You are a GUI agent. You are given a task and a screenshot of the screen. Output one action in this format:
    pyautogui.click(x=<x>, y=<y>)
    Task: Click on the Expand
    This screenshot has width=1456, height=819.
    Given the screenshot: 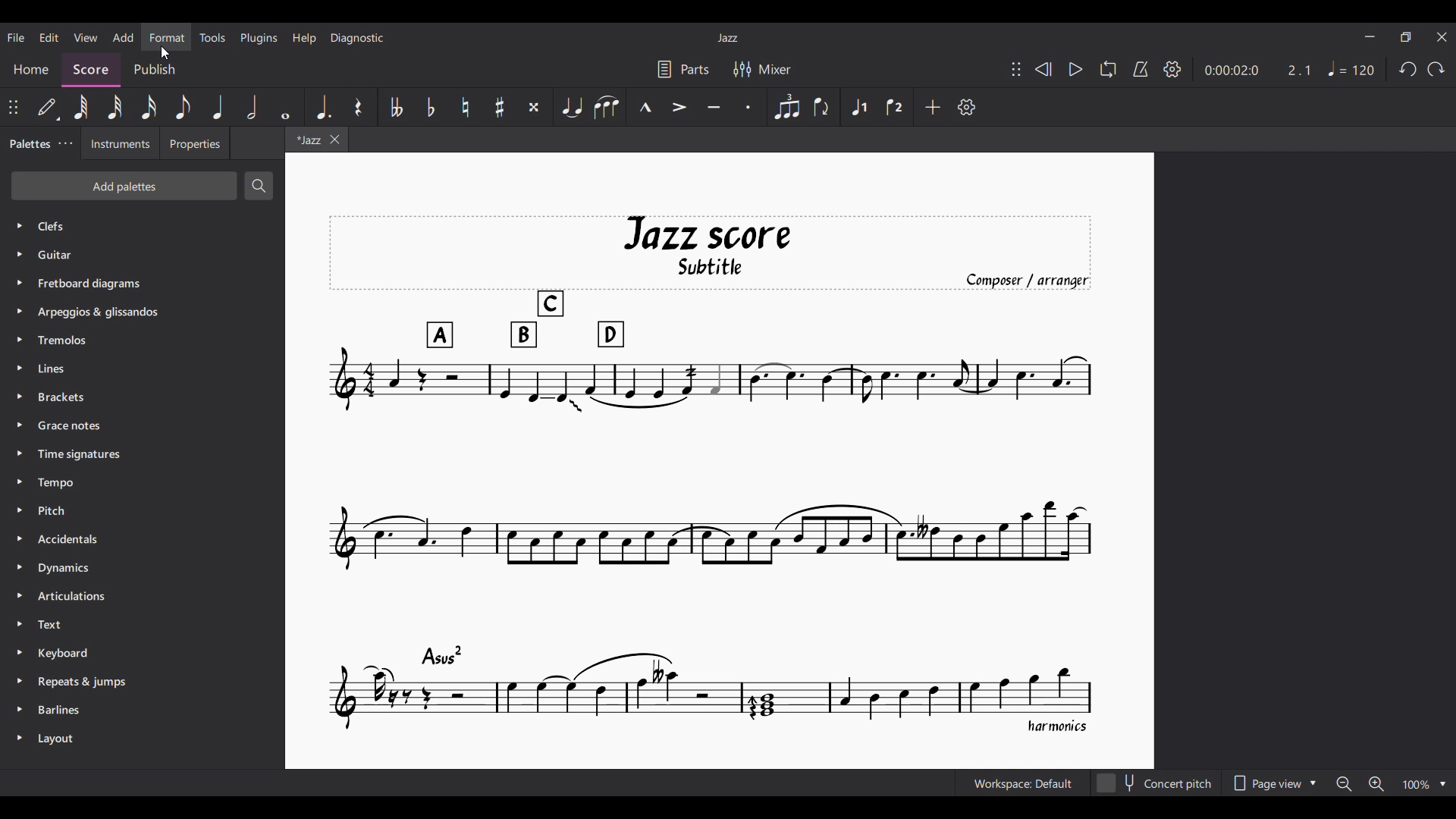 What is the action you would take?
    pyautogui.click(x=19, y=482)
    